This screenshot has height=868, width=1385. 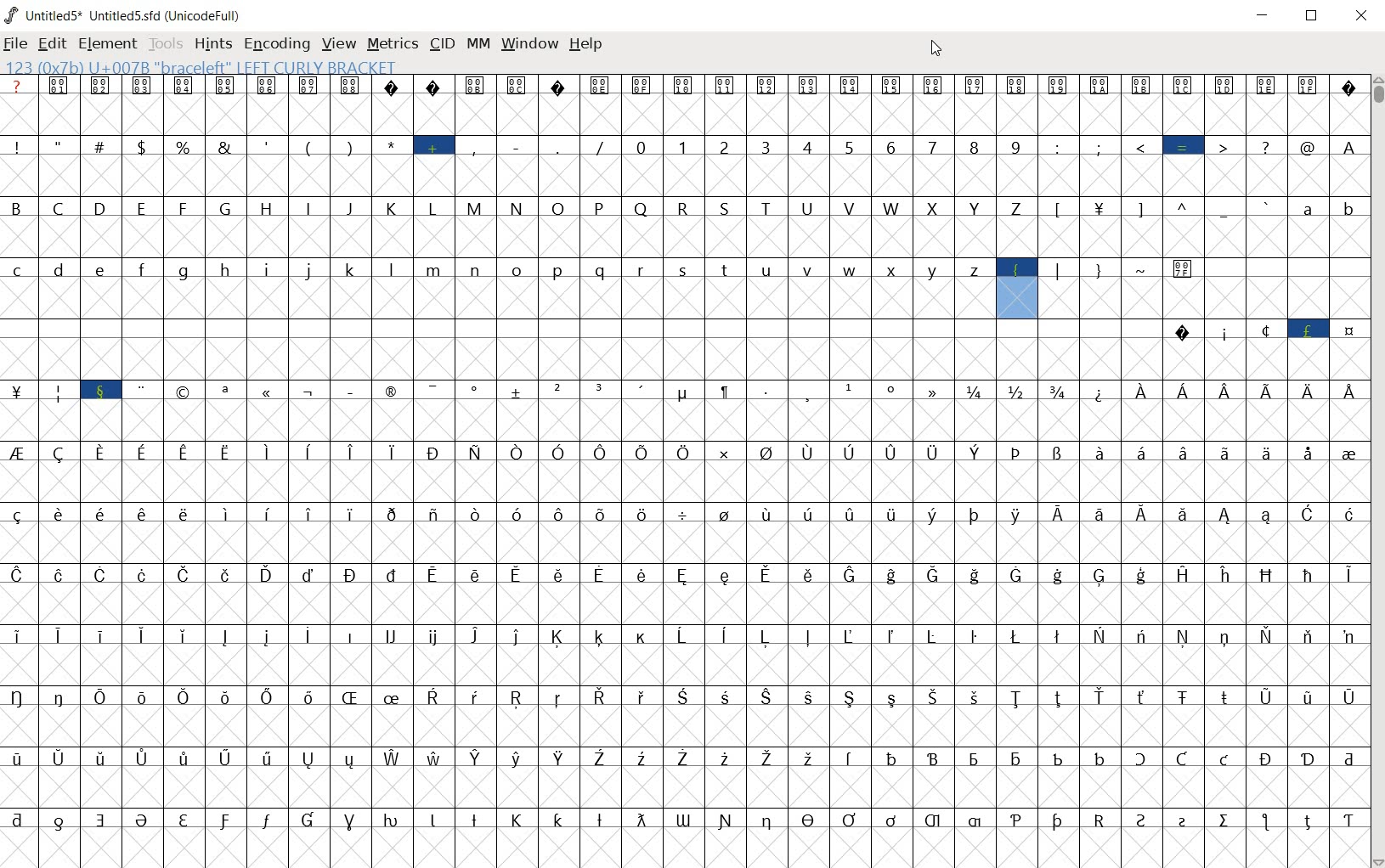 I want to click on RESTORE DOWN, so click(x=1315, y=17).